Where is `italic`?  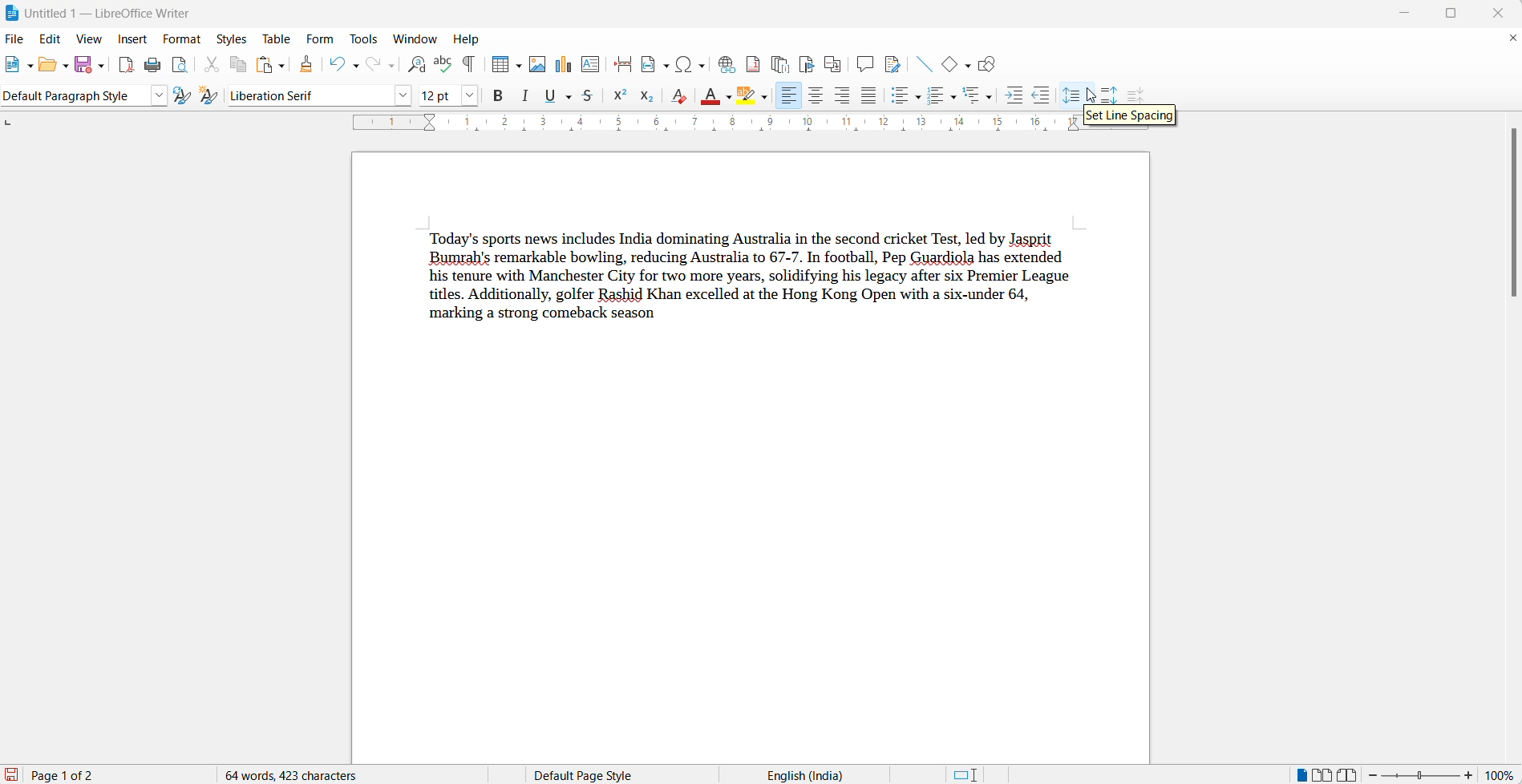 italic is located at coordinates (527, 99).